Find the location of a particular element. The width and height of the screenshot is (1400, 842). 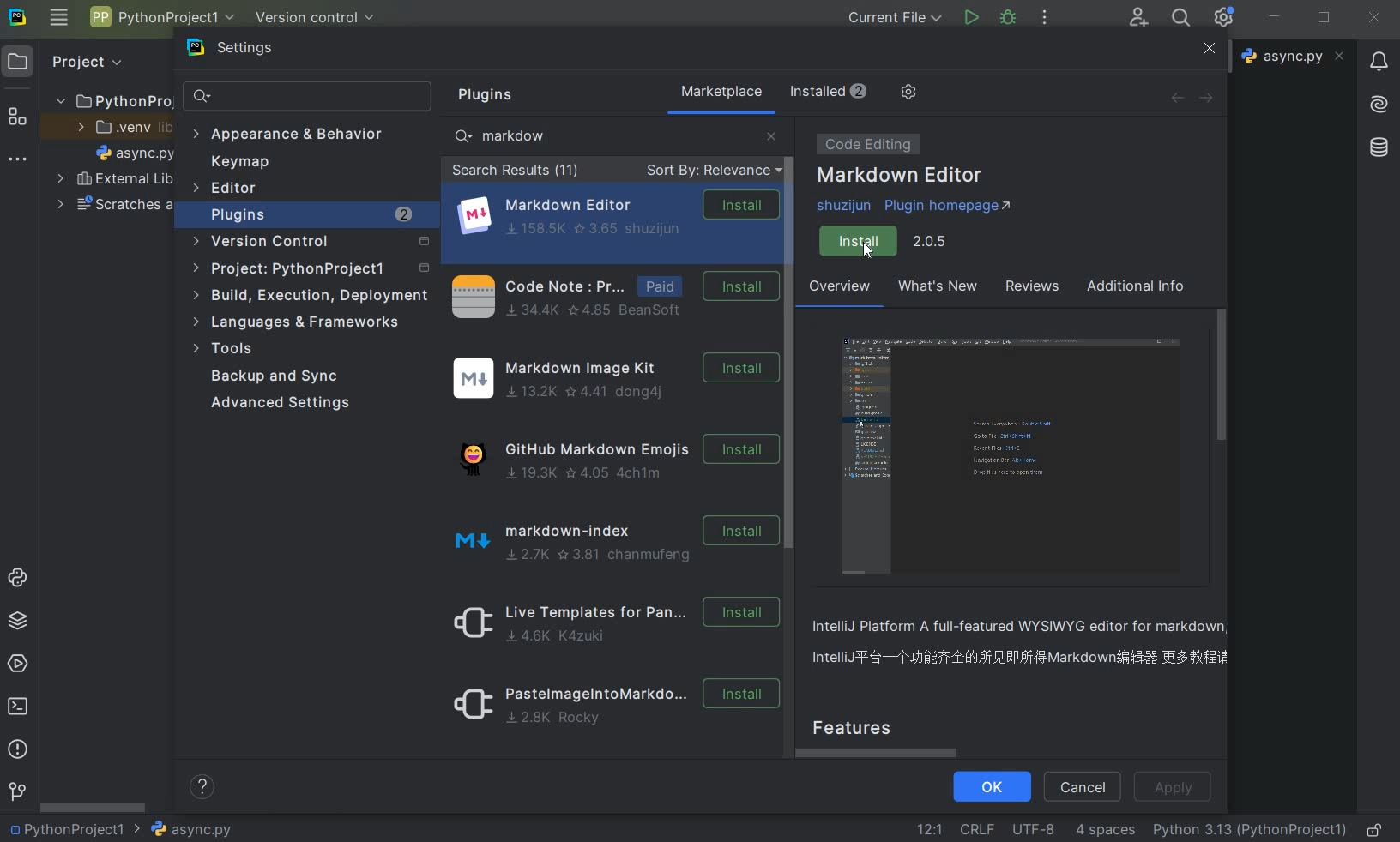

appearance & behavior is located at coordinates (288, 135).